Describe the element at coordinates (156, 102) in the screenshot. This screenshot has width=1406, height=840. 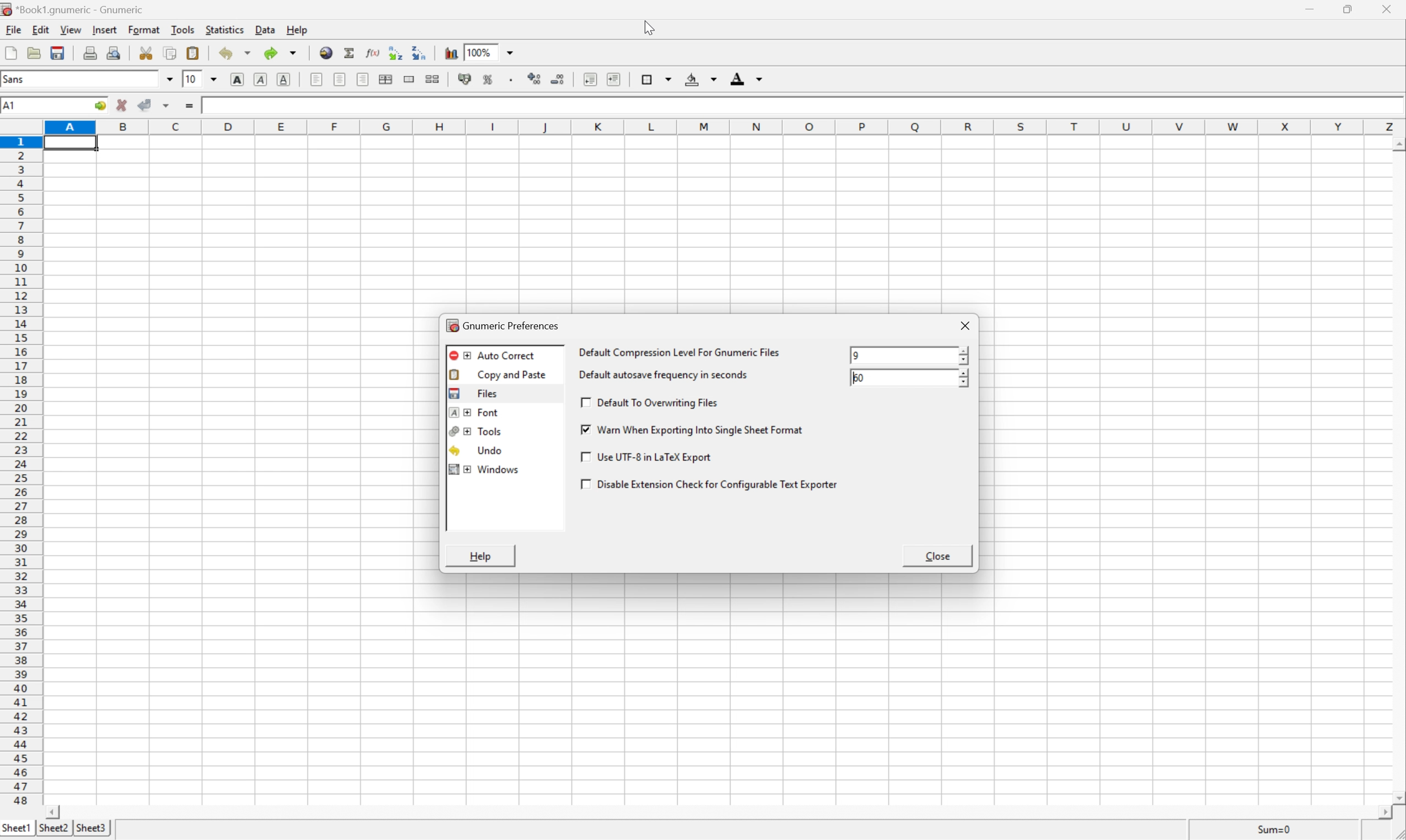
I see `accept changes across selection` at that location.